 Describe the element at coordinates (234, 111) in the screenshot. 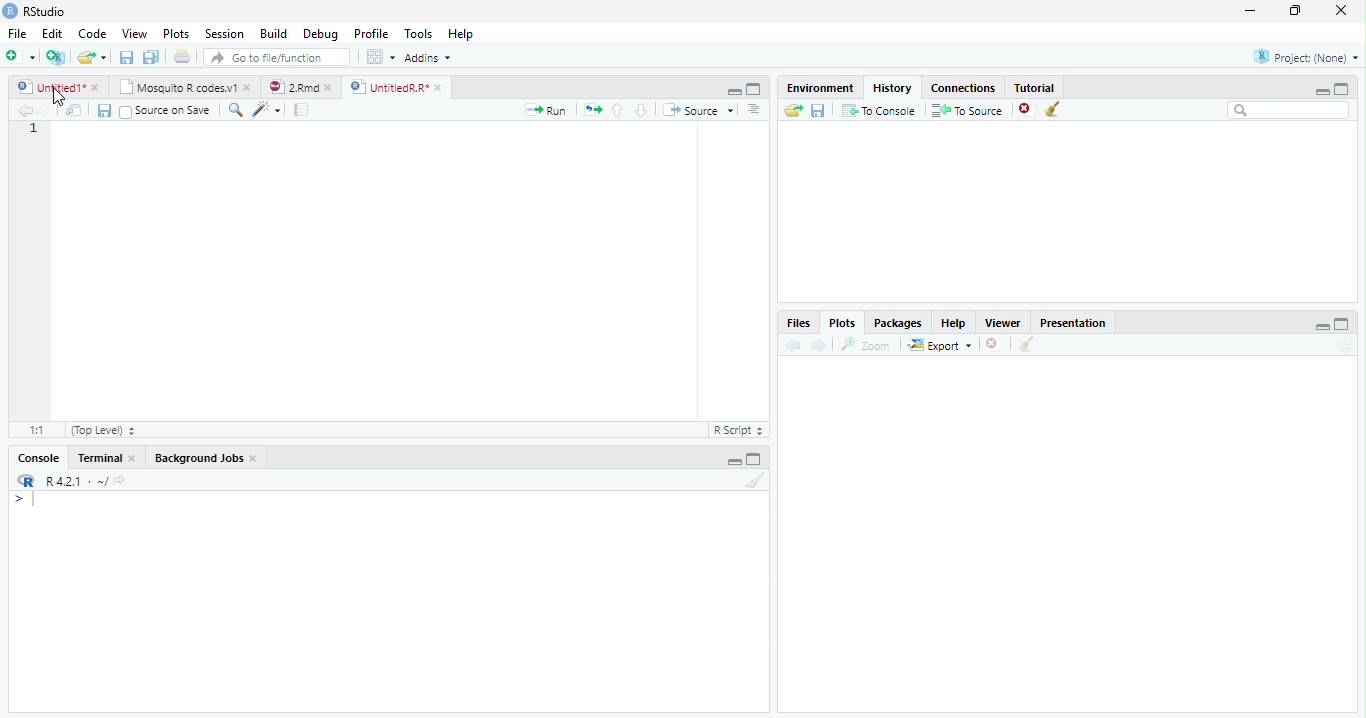

I see `Zoom In` at that location.